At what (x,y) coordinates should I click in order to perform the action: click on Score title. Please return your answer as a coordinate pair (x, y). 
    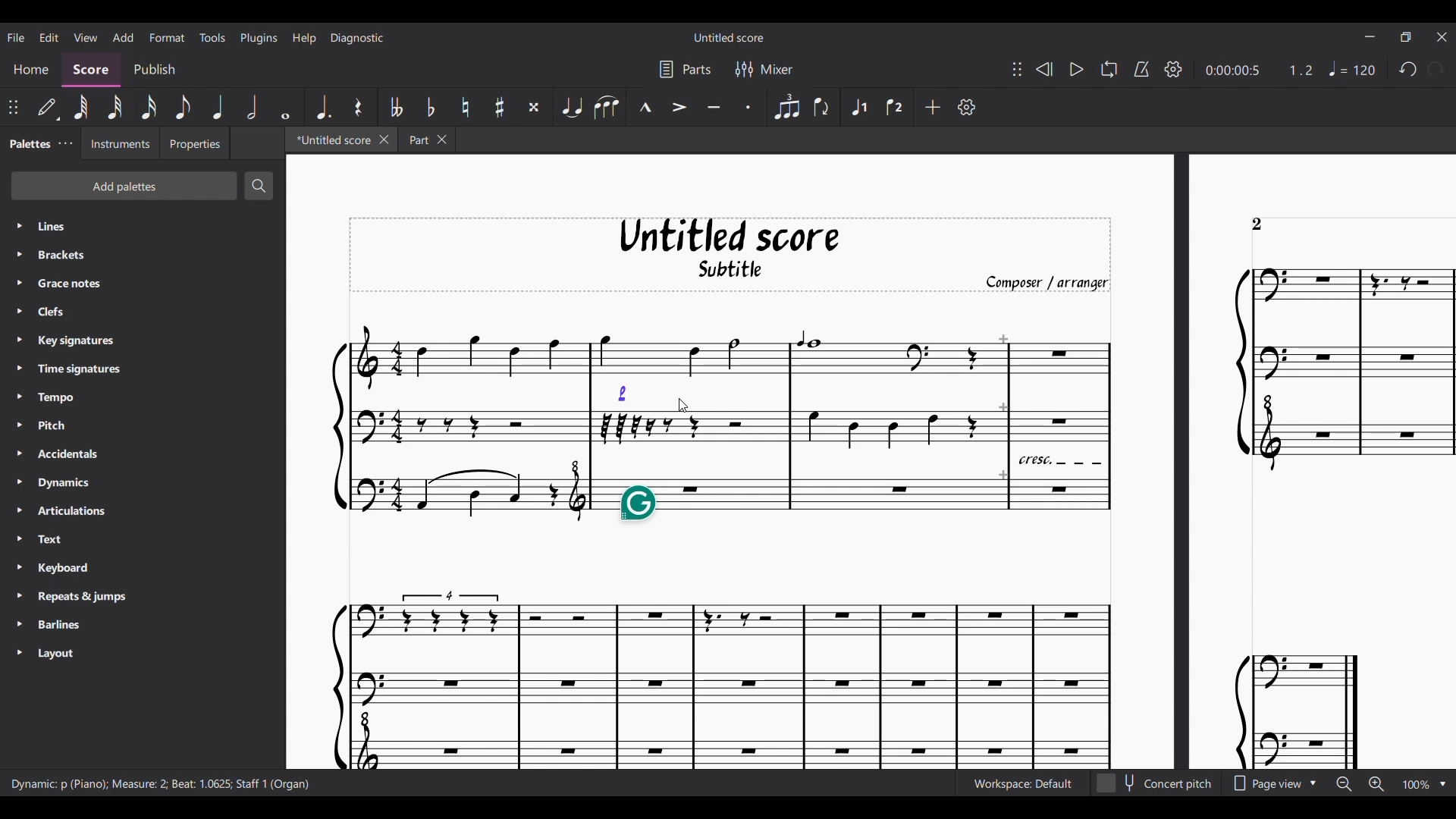
    Looking at the image, I should click on (729, 37).